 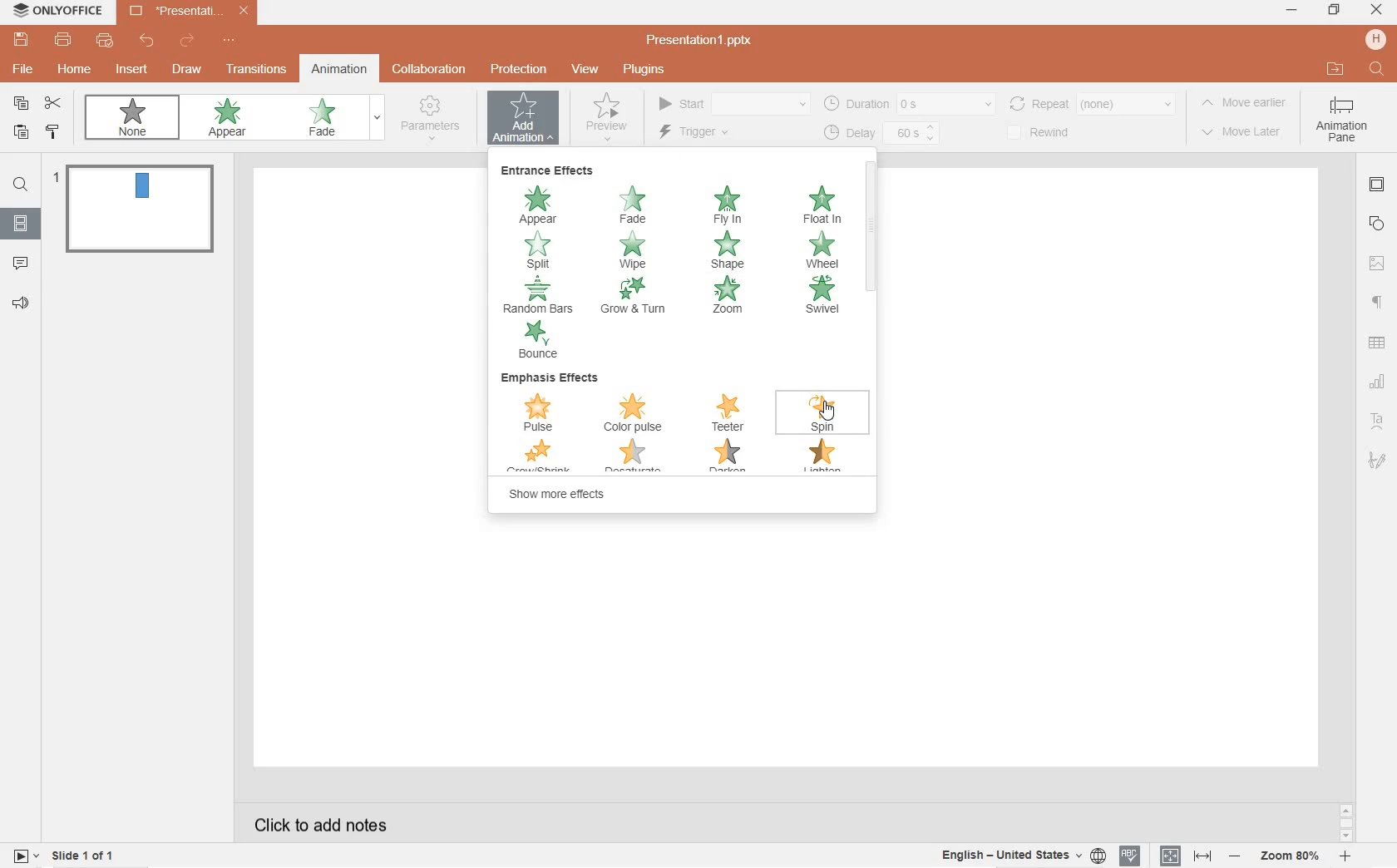 I want to click on move earlier, so click(x=1246, y=106).